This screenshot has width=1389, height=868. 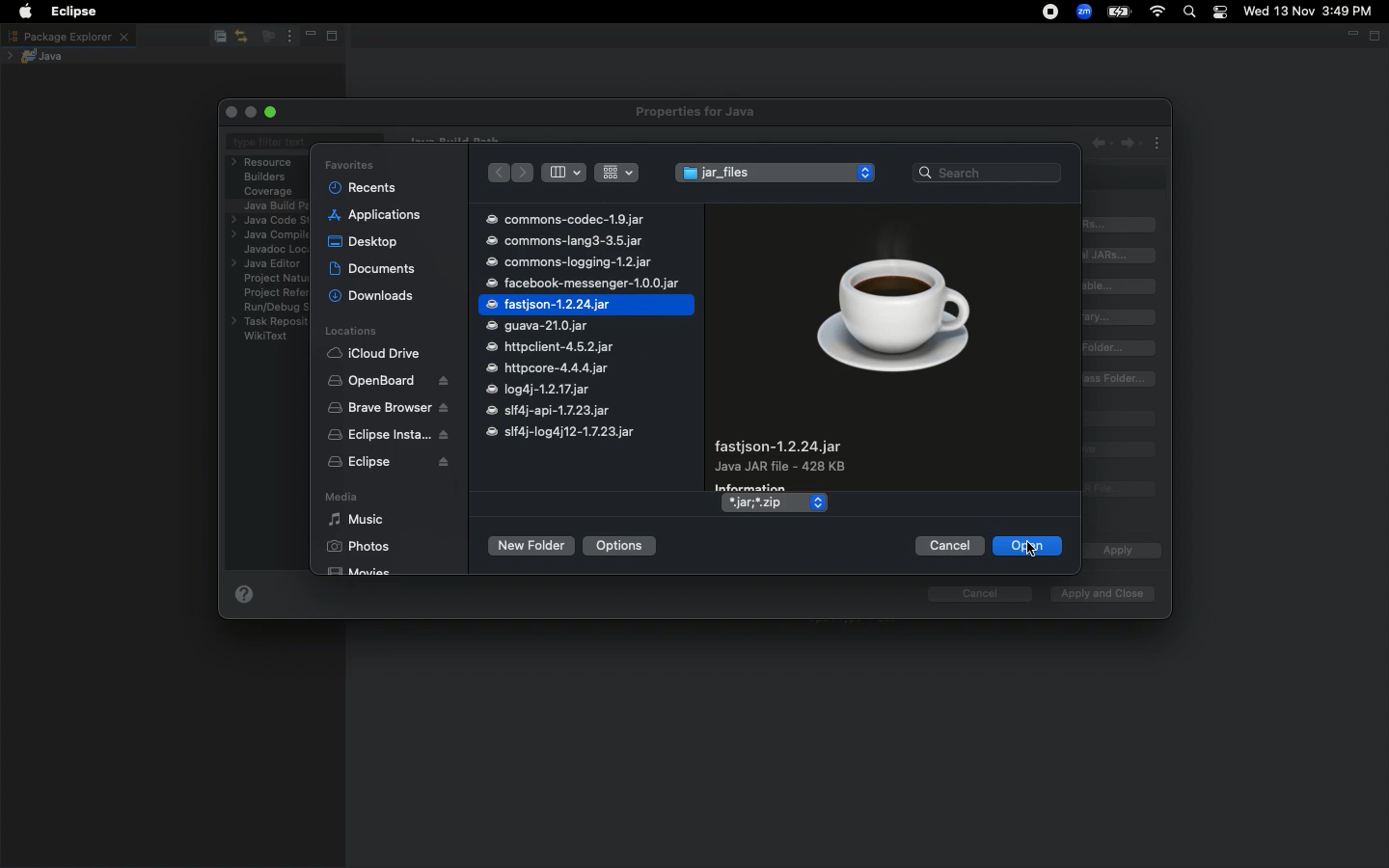 I want to click on Resource, so click(x=264, y=162).